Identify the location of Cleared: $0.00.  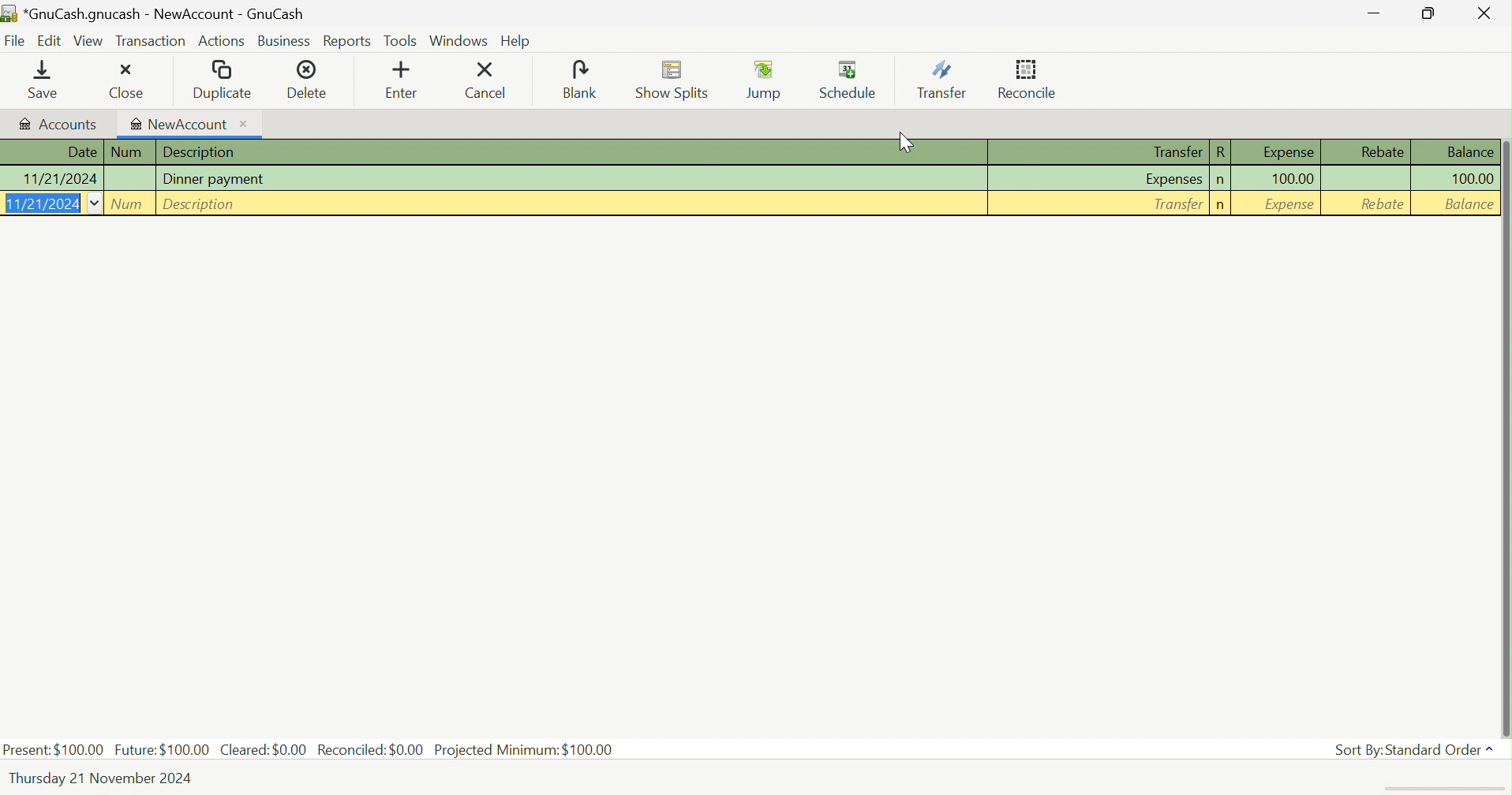
(261, 748).